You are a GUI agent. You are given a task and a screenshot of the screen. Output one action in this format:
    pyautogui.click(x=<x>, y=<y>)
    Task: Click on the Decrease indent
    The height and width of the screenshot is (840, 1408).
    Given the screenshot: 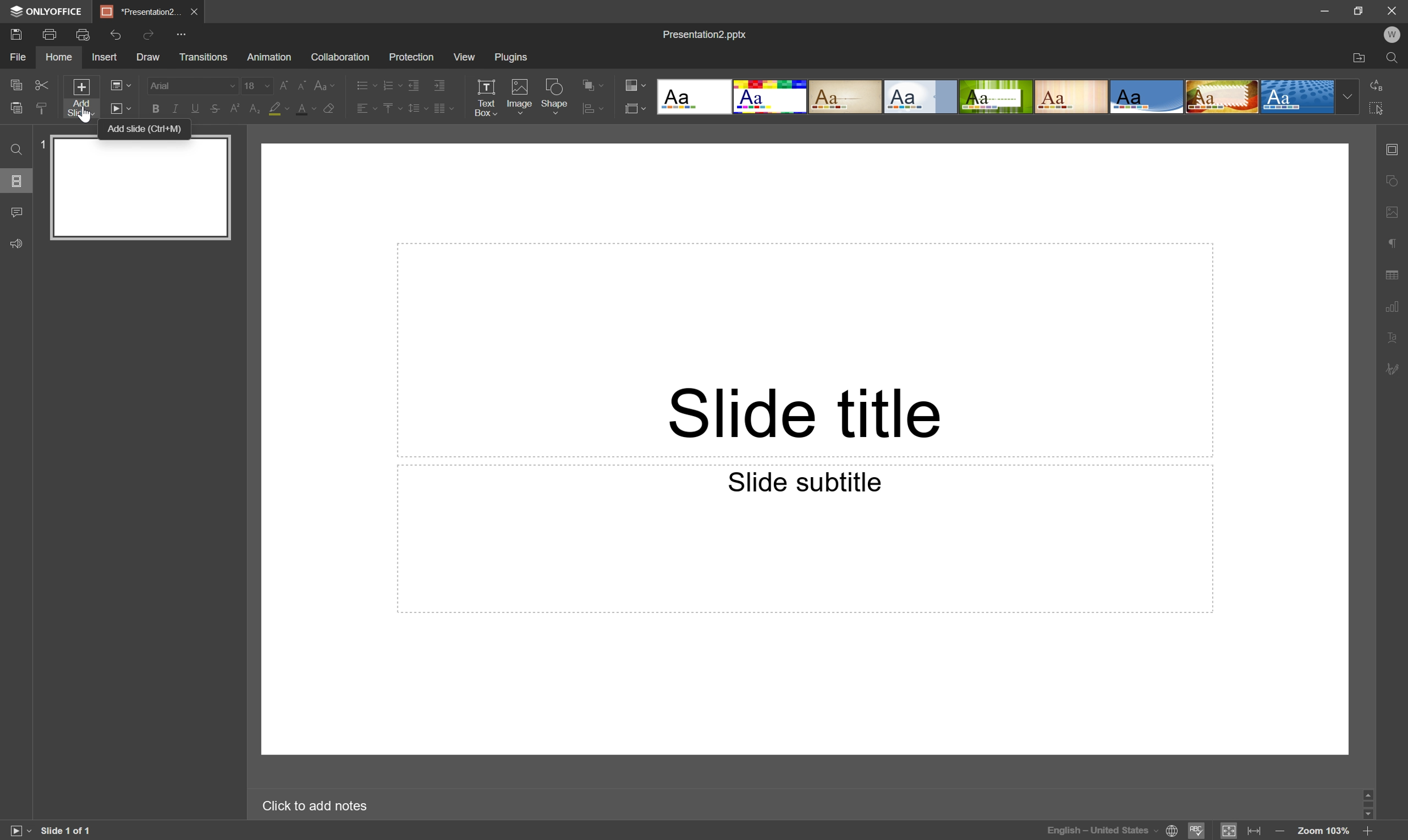 What is the action you would take?
    pyautogui.click(x=414, y=82)
    